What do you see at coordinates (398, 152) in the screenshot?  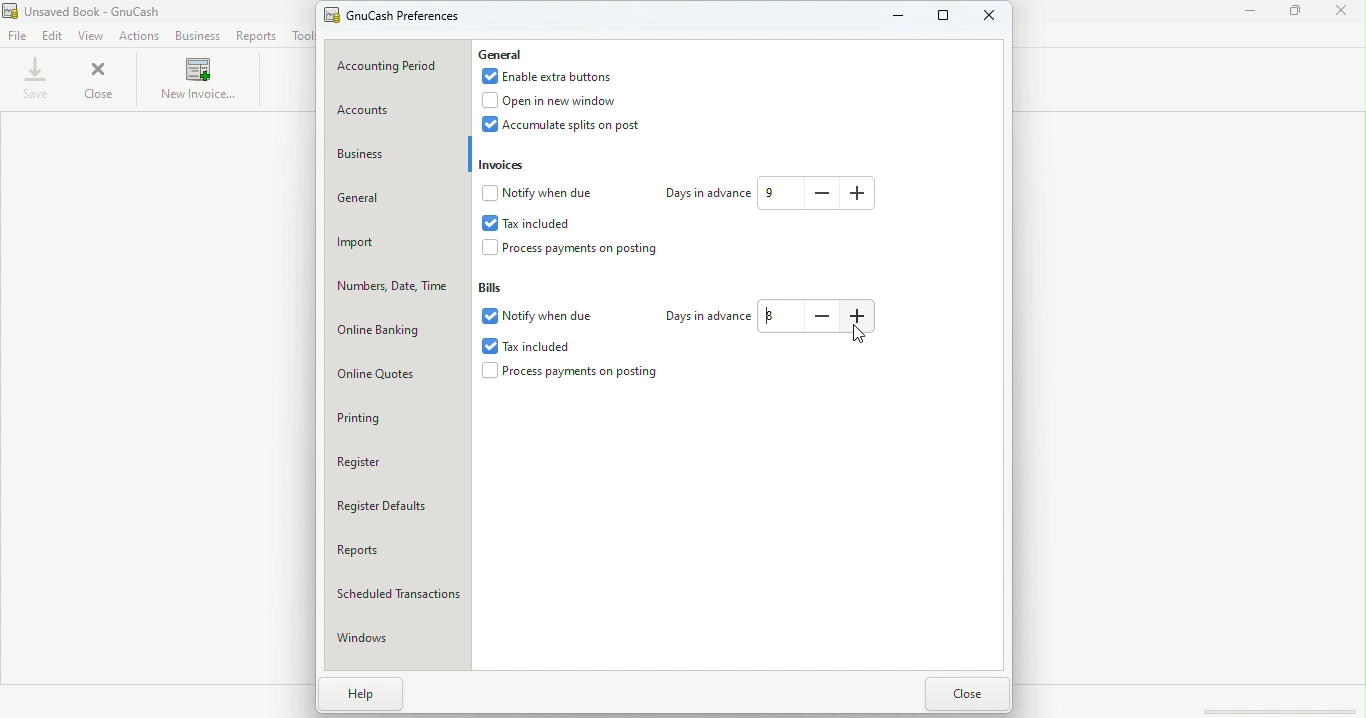 I see `Business` at bounding box center [398, 152].